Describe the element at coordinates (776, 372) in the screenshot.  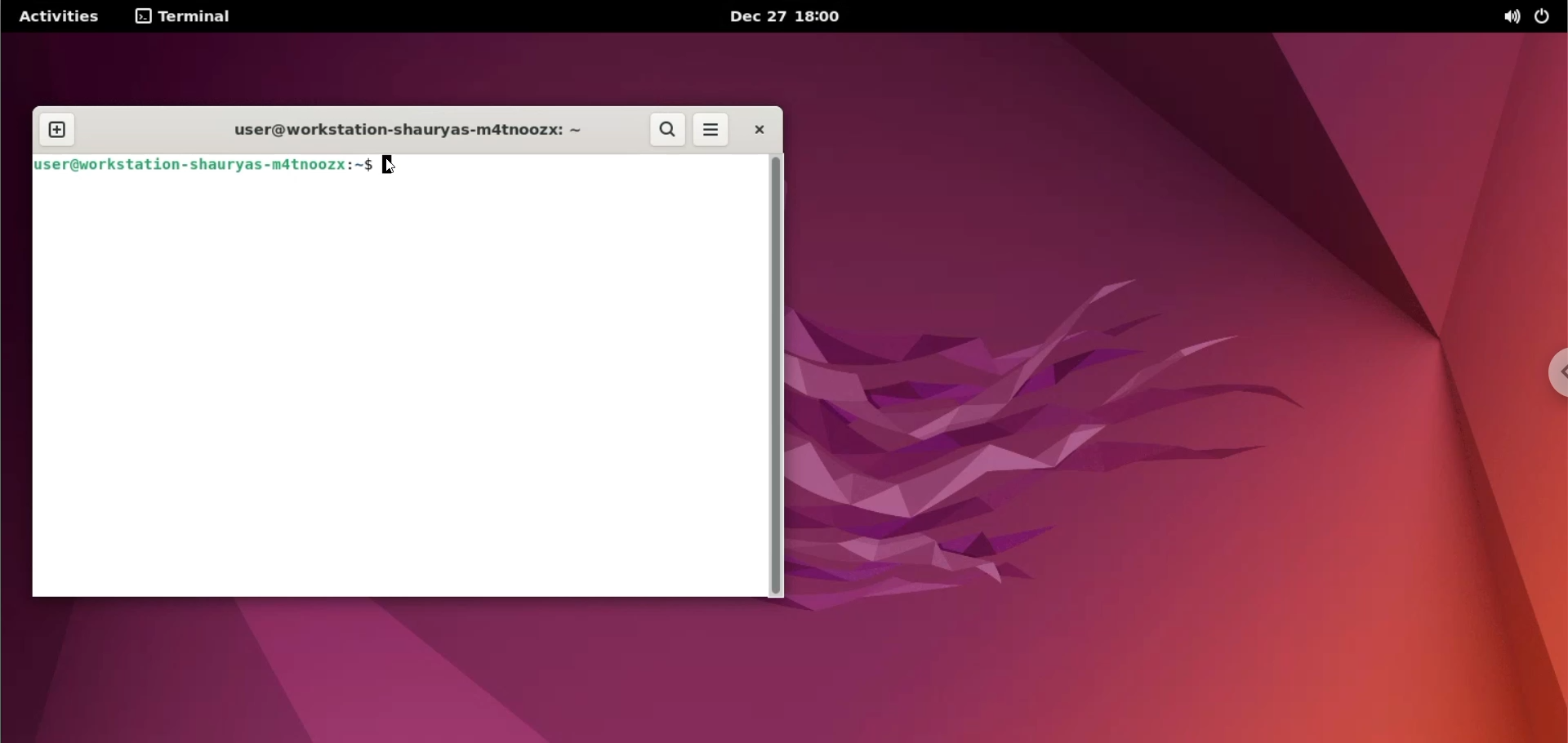
I see `scrollbar` at that location.